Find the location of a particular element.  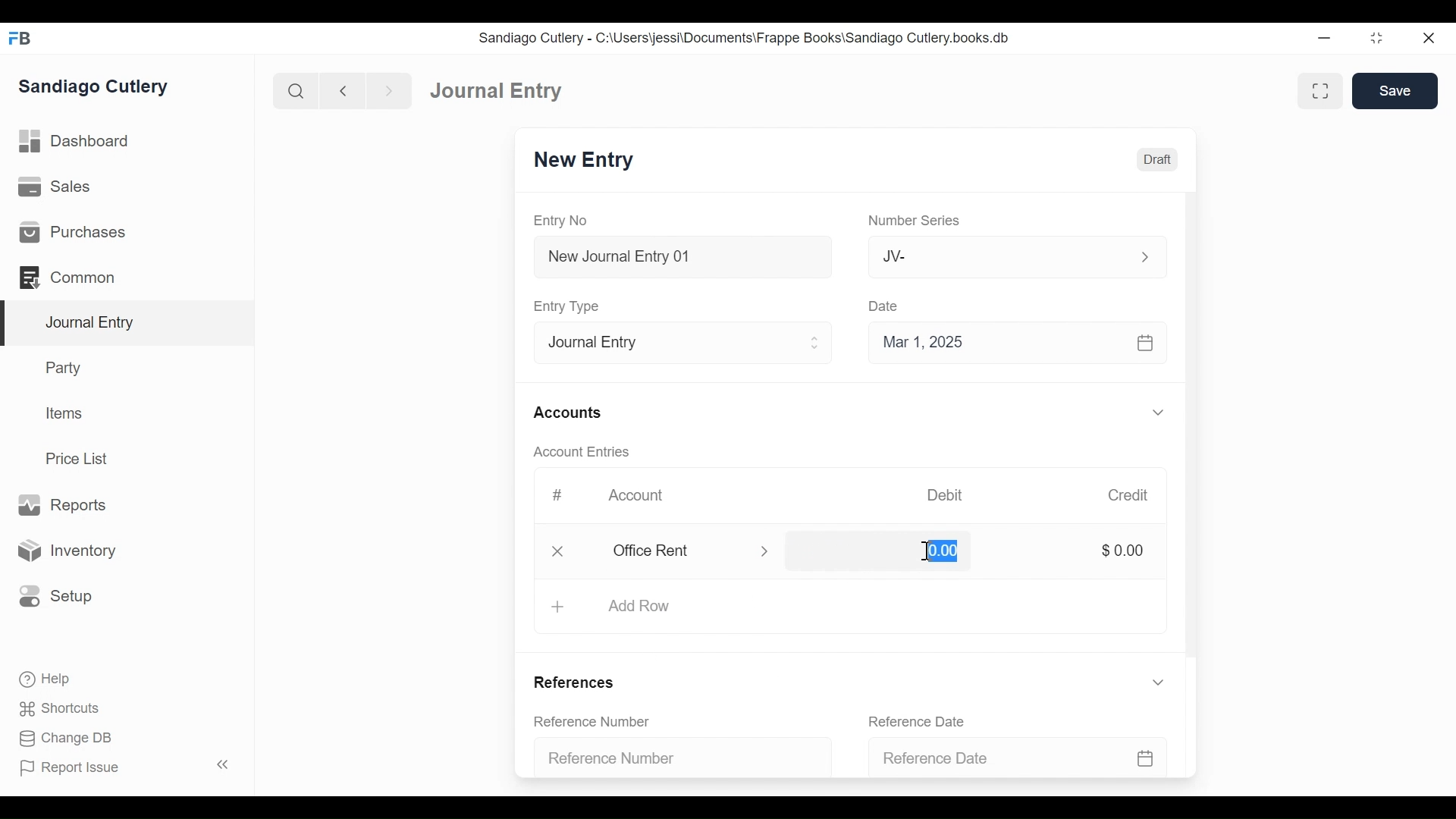

collapse sidebar is located at coordinates (220, 764).